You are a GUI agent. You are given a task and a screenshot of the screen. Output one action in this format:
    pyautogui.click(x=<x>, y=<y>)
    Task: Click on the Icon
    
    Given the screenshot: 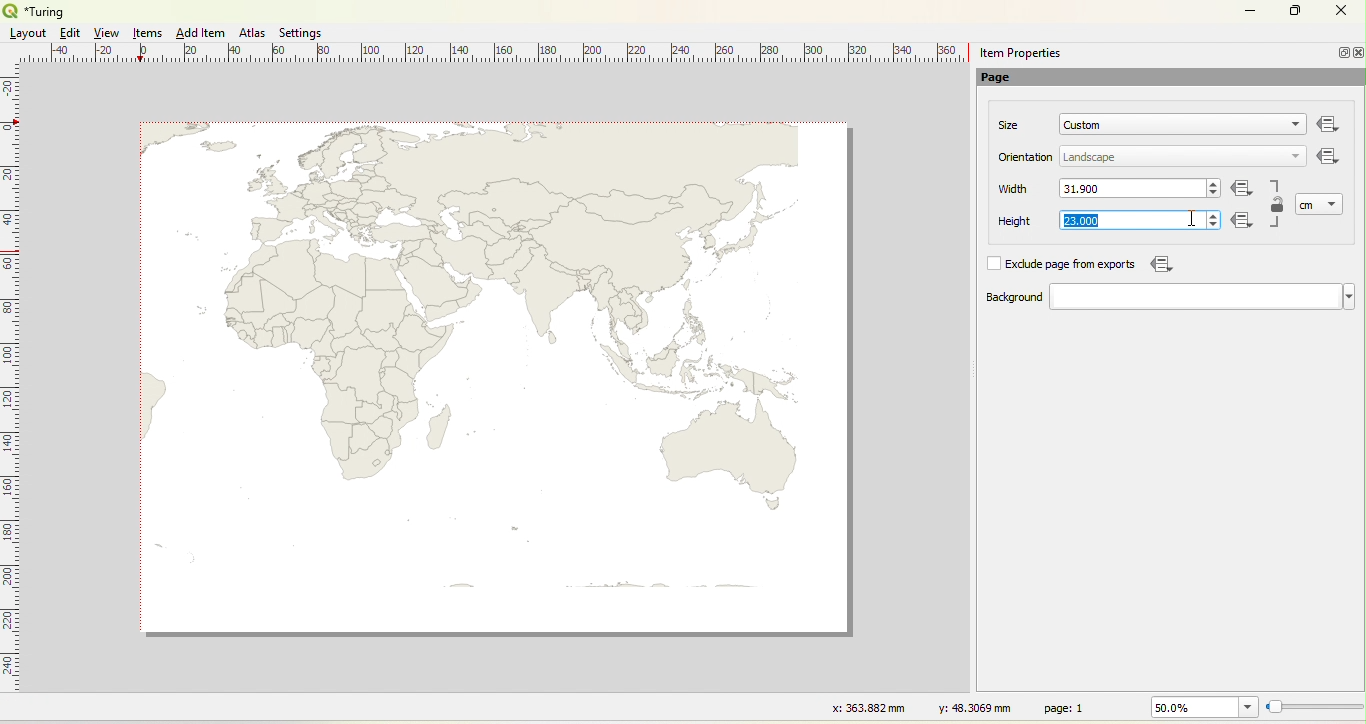 What is the action you would take?
    pyautogui.click(x=1159, y=264)
    